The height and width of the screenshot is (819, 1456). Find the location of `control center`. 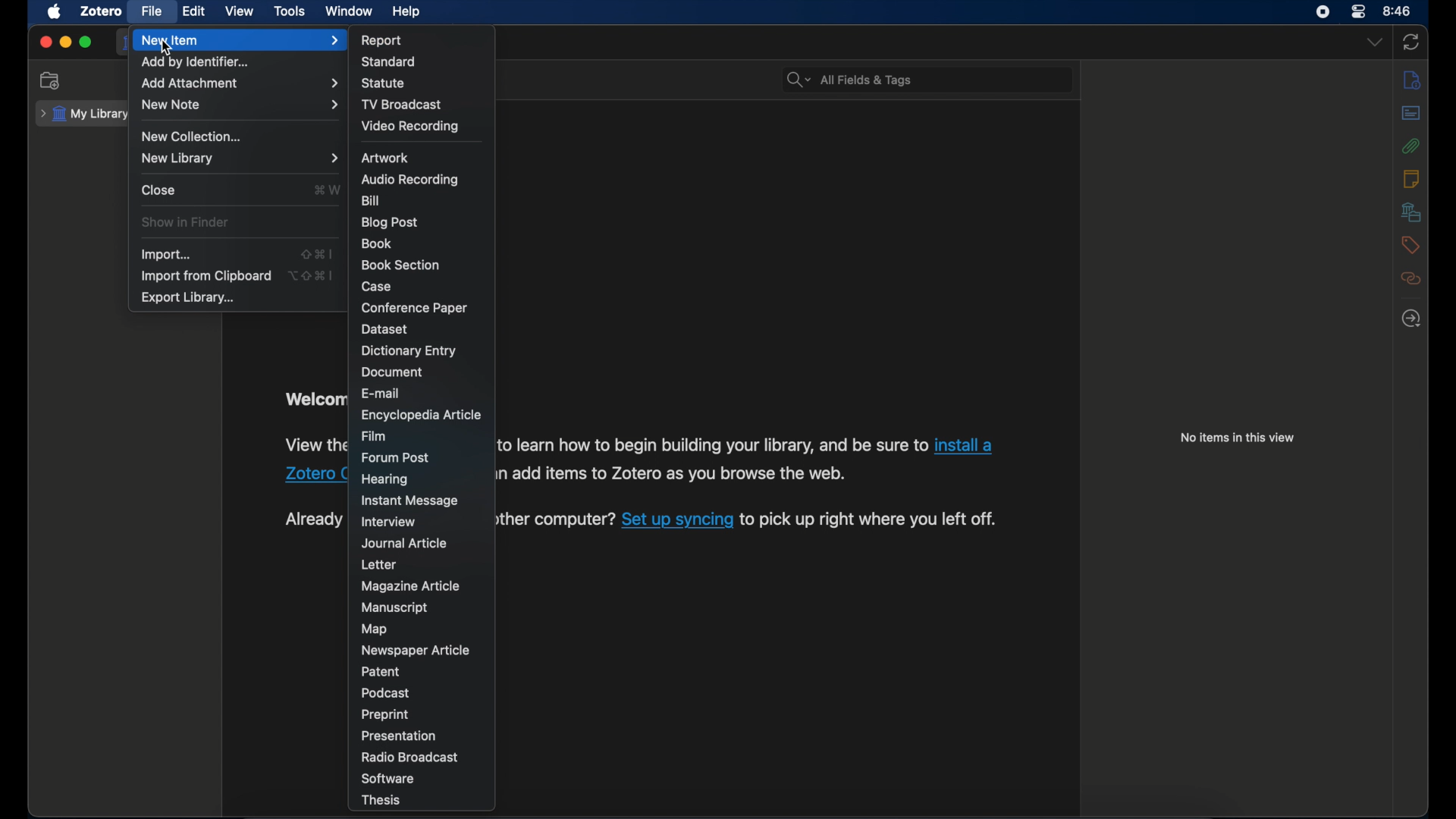

control center is located at coordinates (1357, 12).